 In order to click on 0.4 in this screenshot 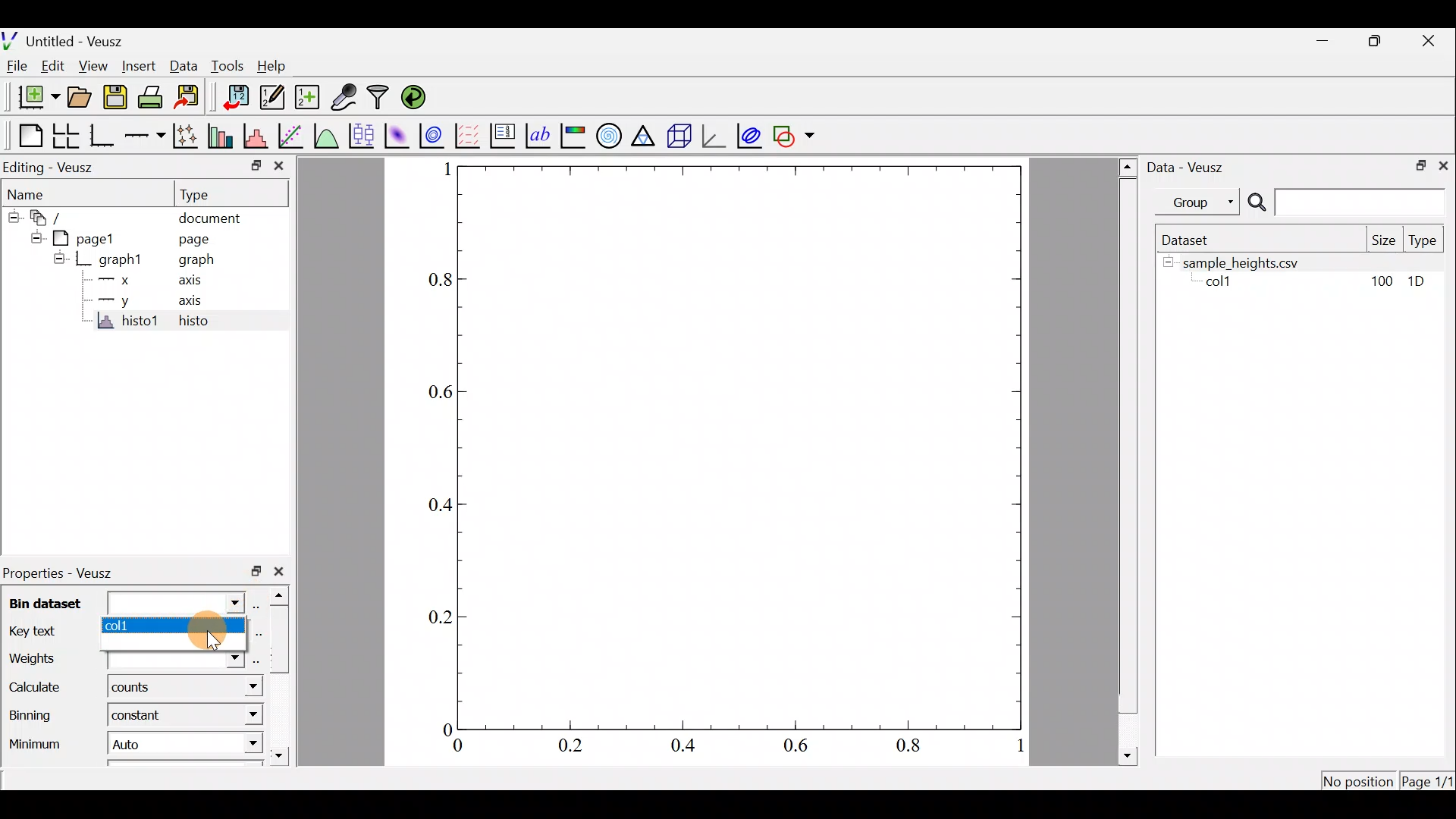, I will do `click(684, 747)`.